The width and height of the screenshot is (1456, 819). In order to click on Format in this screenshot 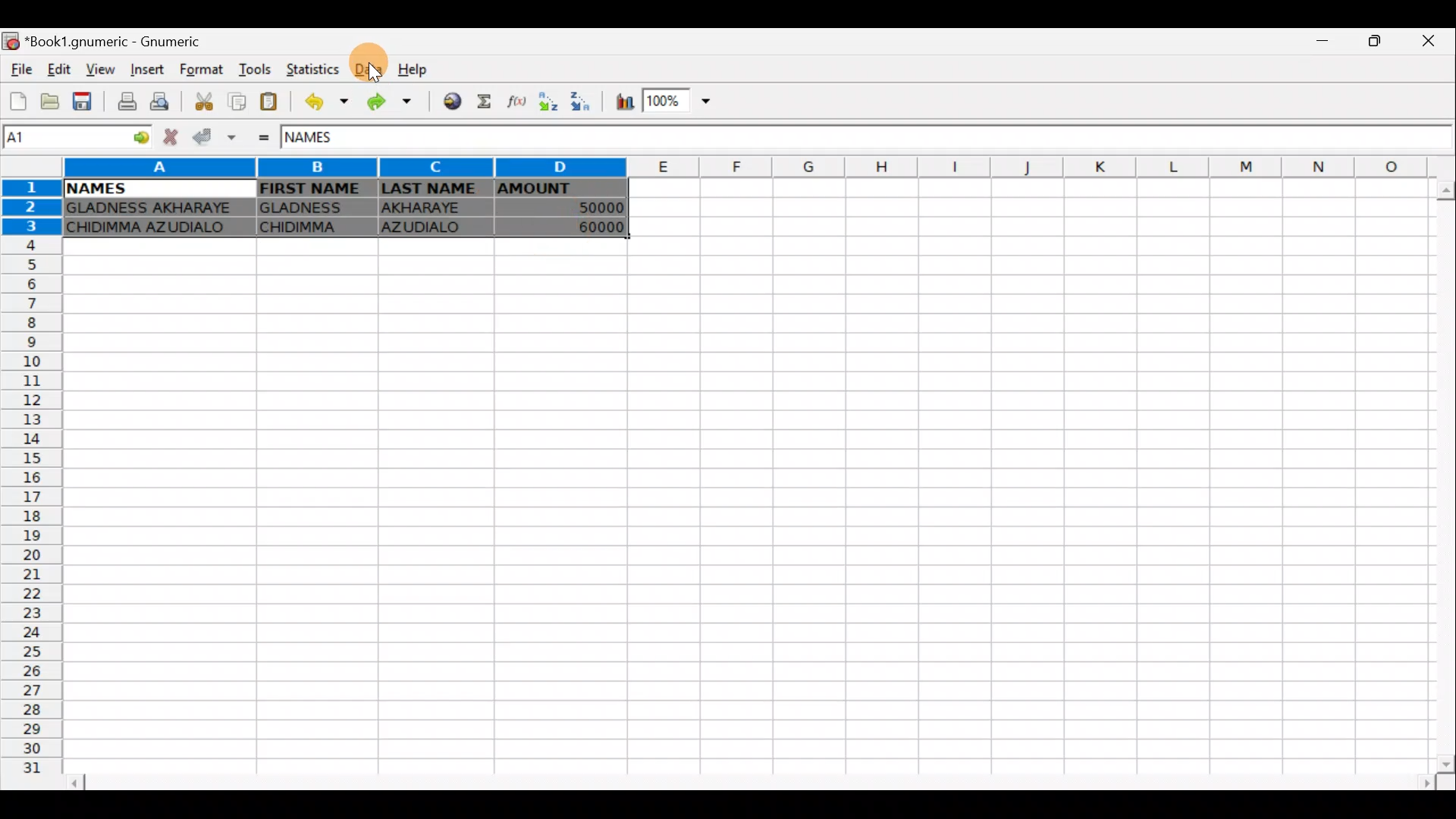, I will do `click(206, 71)`.